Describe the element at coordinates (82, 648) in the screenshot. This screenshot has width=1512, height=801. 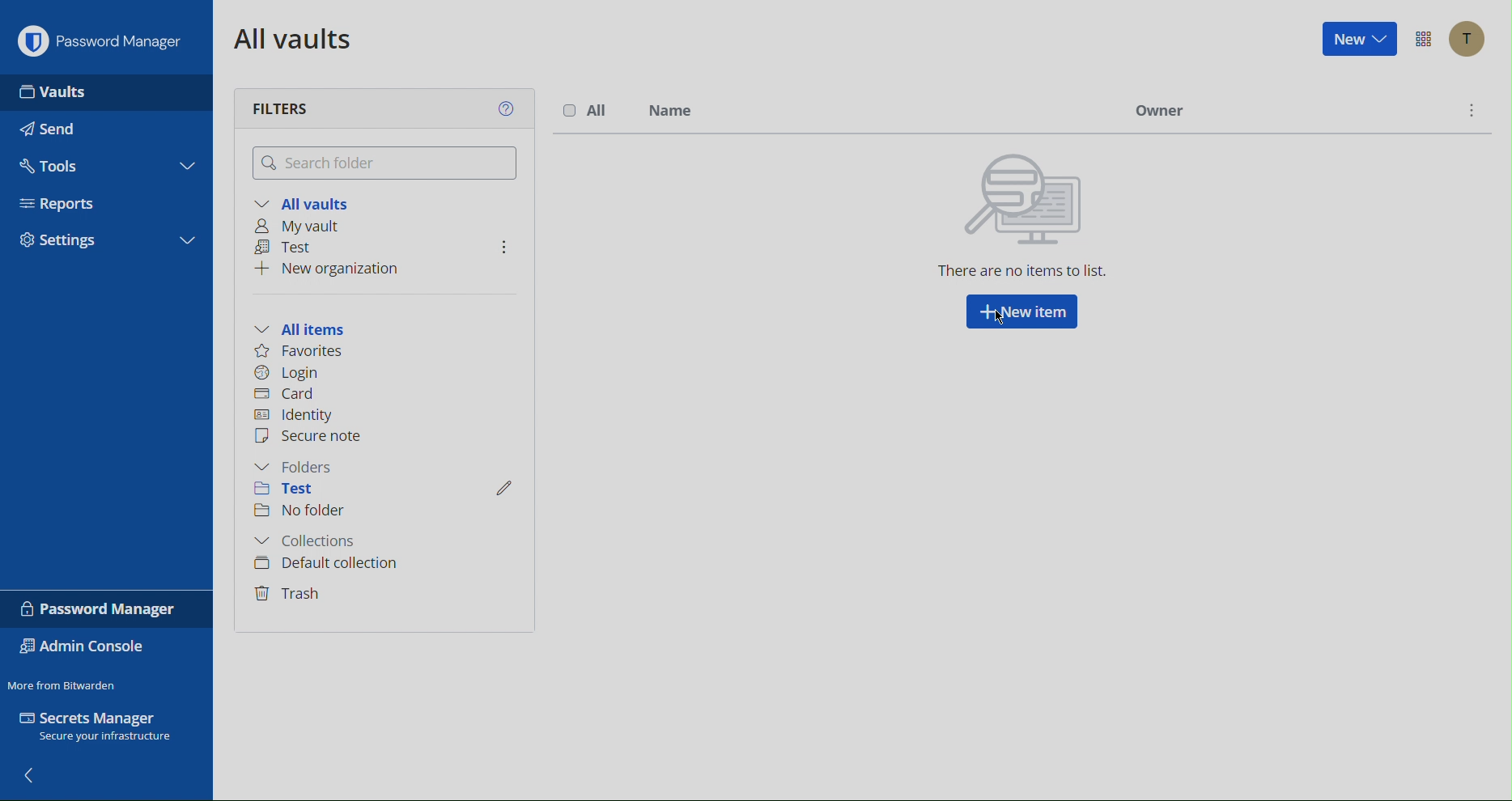
I see `Admin Console` at that location.